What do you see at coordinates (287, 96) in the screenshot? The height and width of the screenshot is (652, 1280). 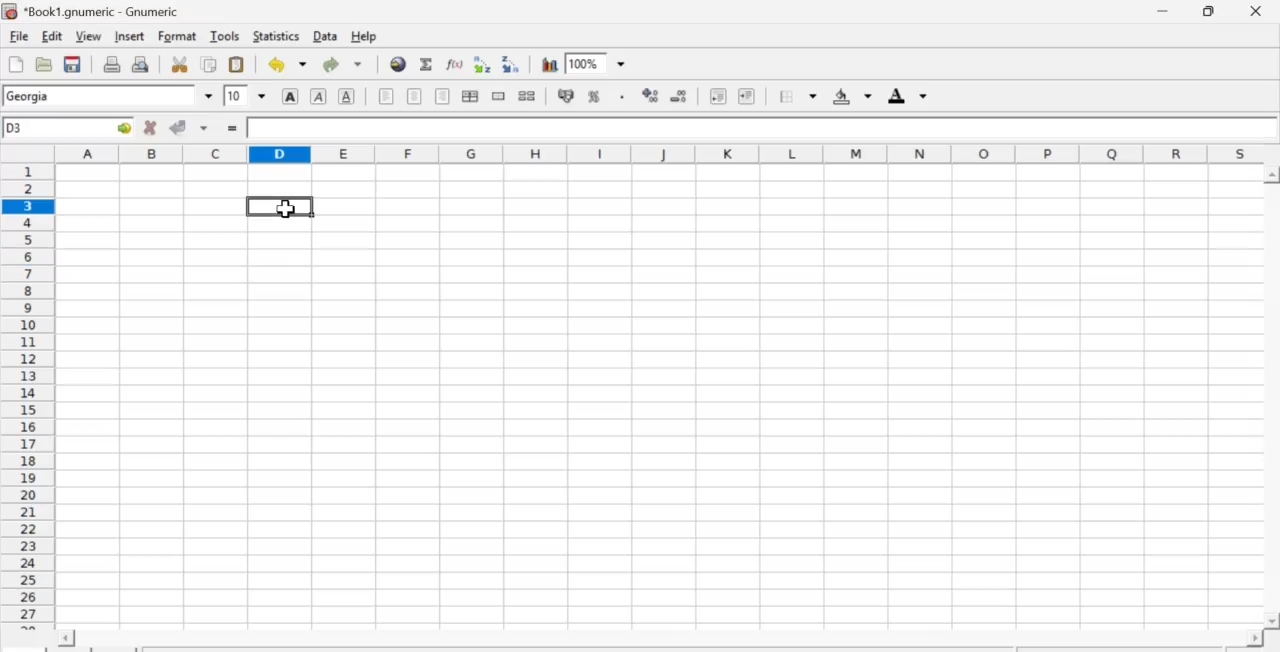 I see `Bold` at bounding box center [287, 96].